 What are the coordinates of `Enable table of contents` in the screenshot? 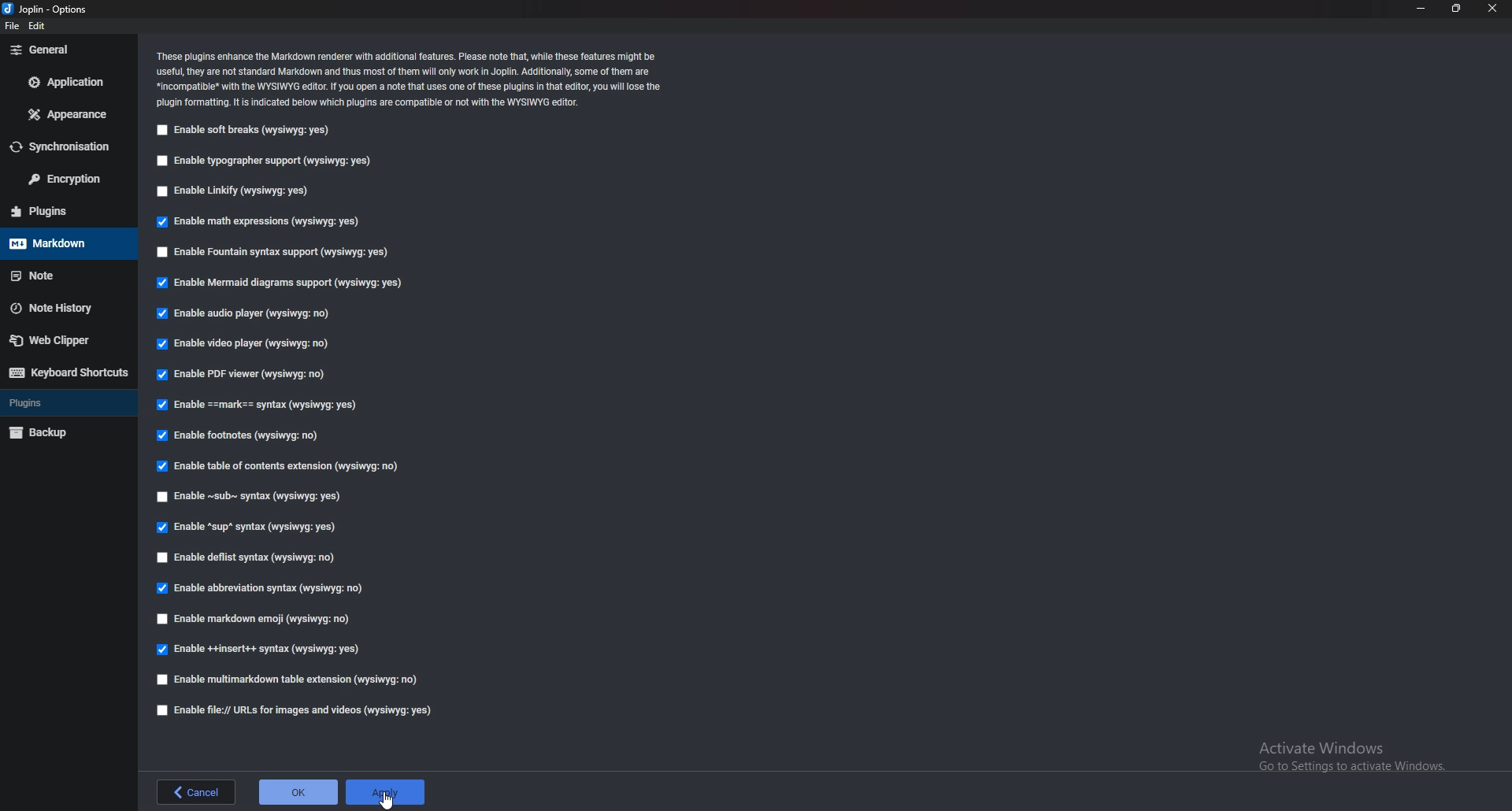 It's located at (276, 465).